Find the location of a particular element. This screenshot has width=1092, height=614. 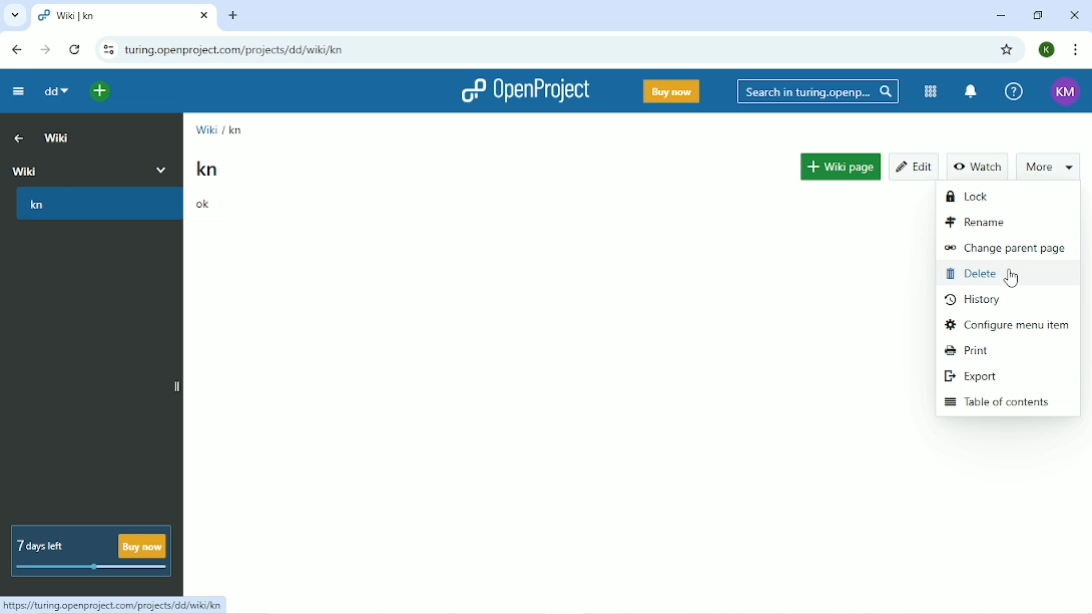

Wiki is located at coordinates (92, 169).